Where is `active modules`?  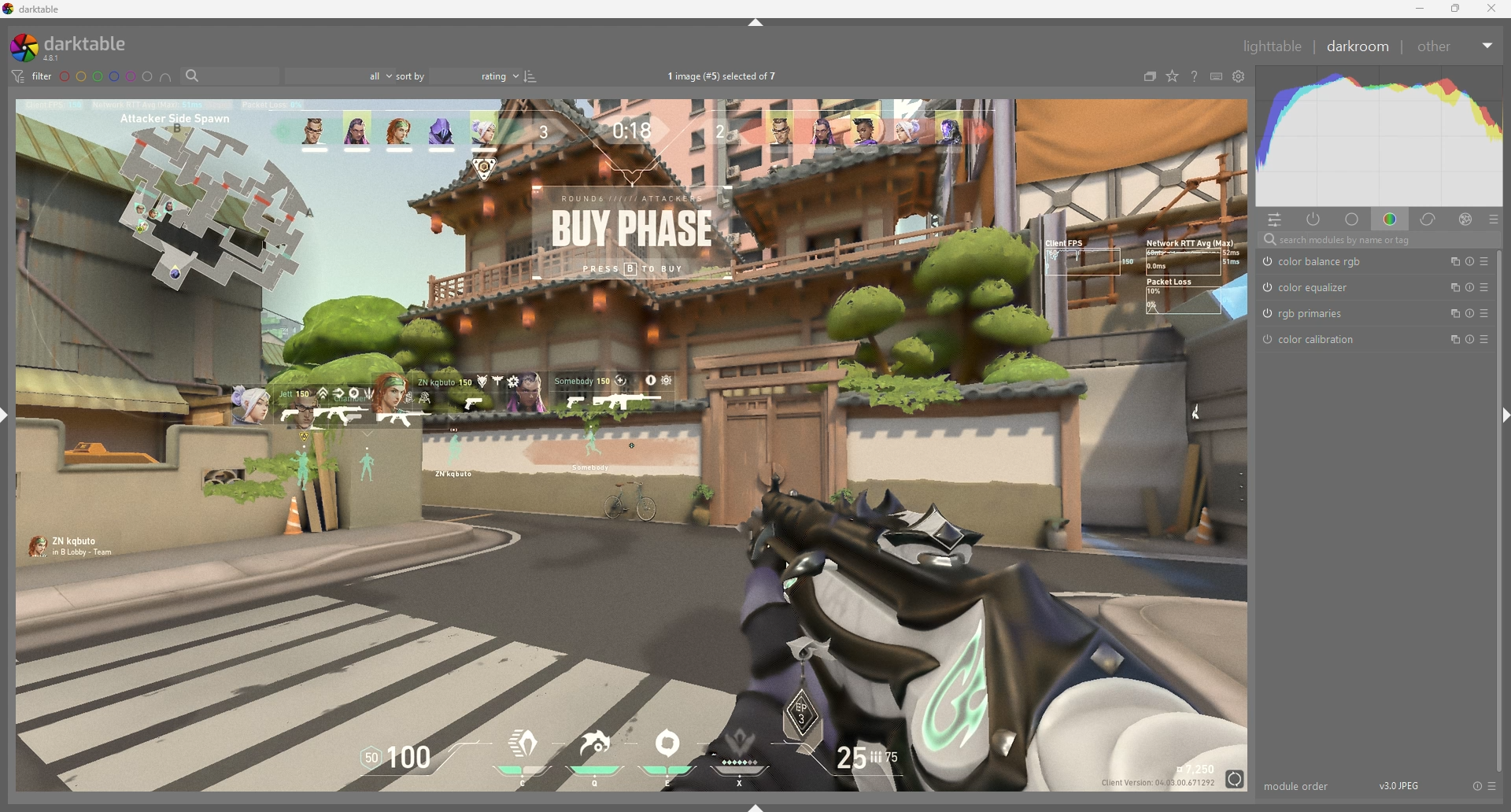 active modules is located at coordinates (1315, 220).